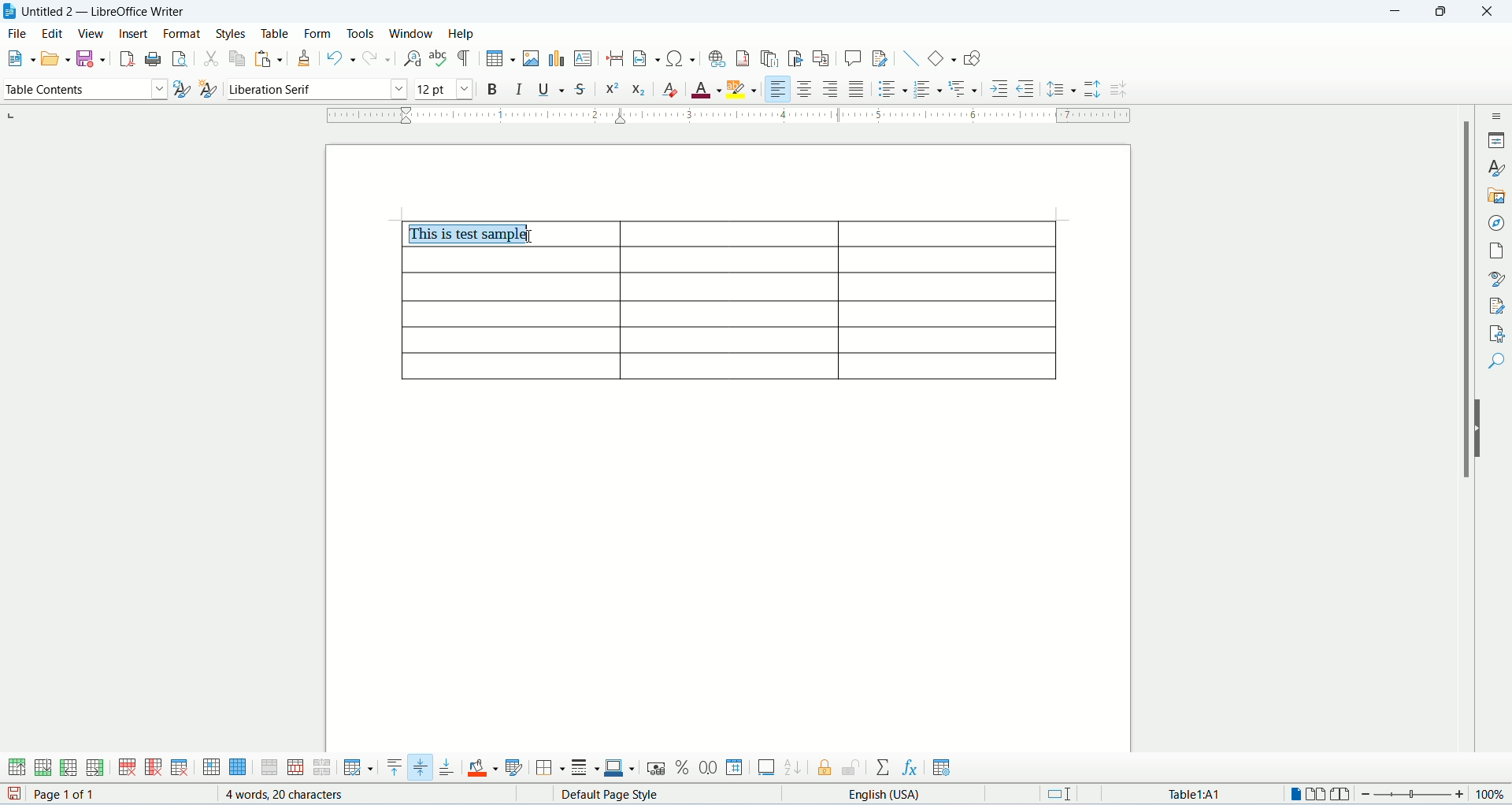 The image size is (1512, 805). Describe the element at coordinates (1416, 796) in the screenshot. I see `zoom bar` at that location.